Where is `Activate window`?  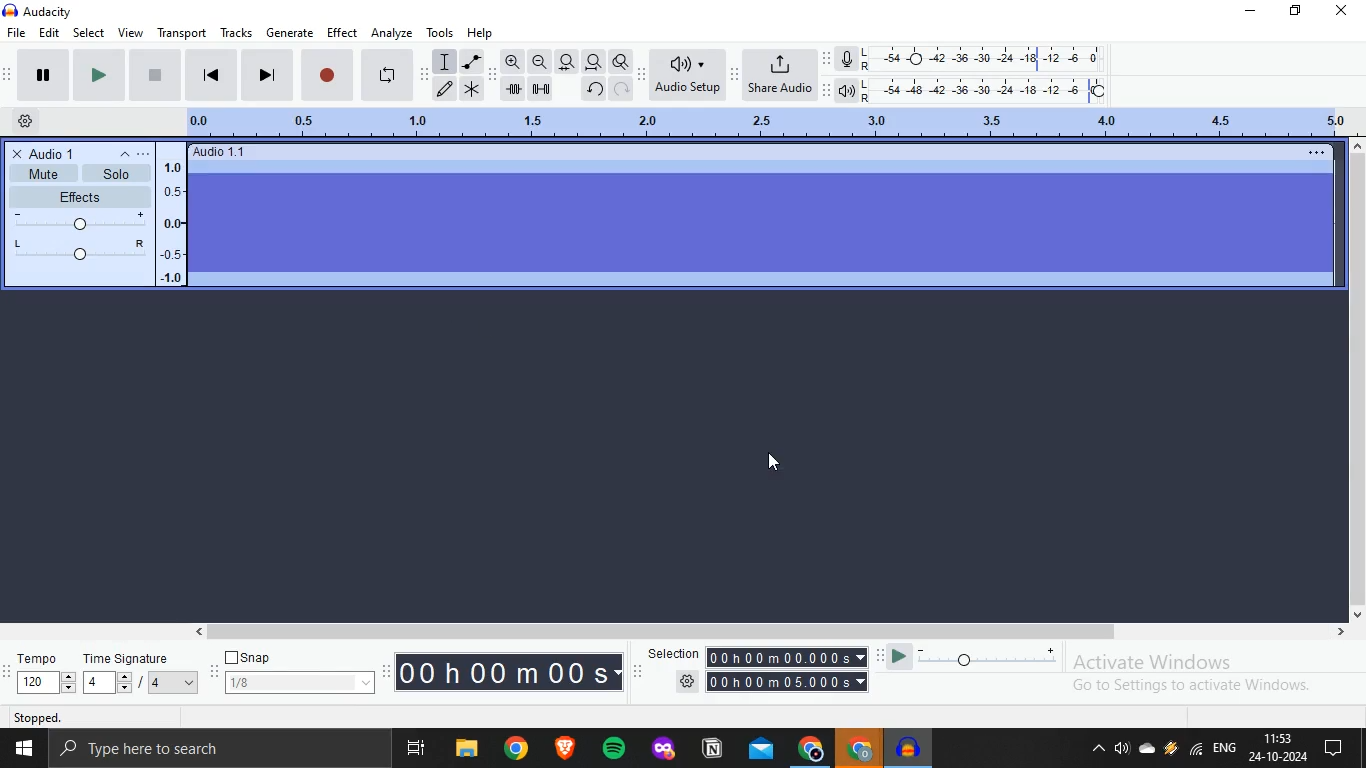
Activate window is located at coordinates (1212, 675).